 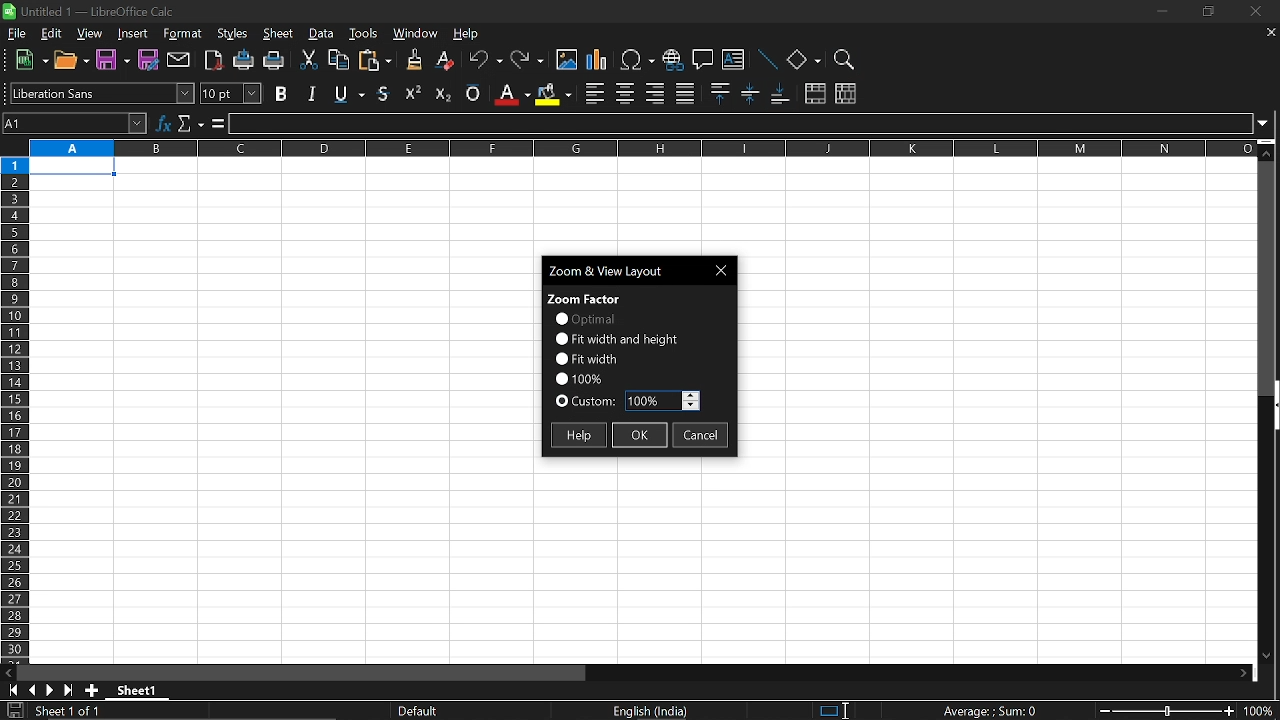 What do you see at coordinates (190, 121) in the screenshot?
I see `select function` at bounding box center [190, 121].